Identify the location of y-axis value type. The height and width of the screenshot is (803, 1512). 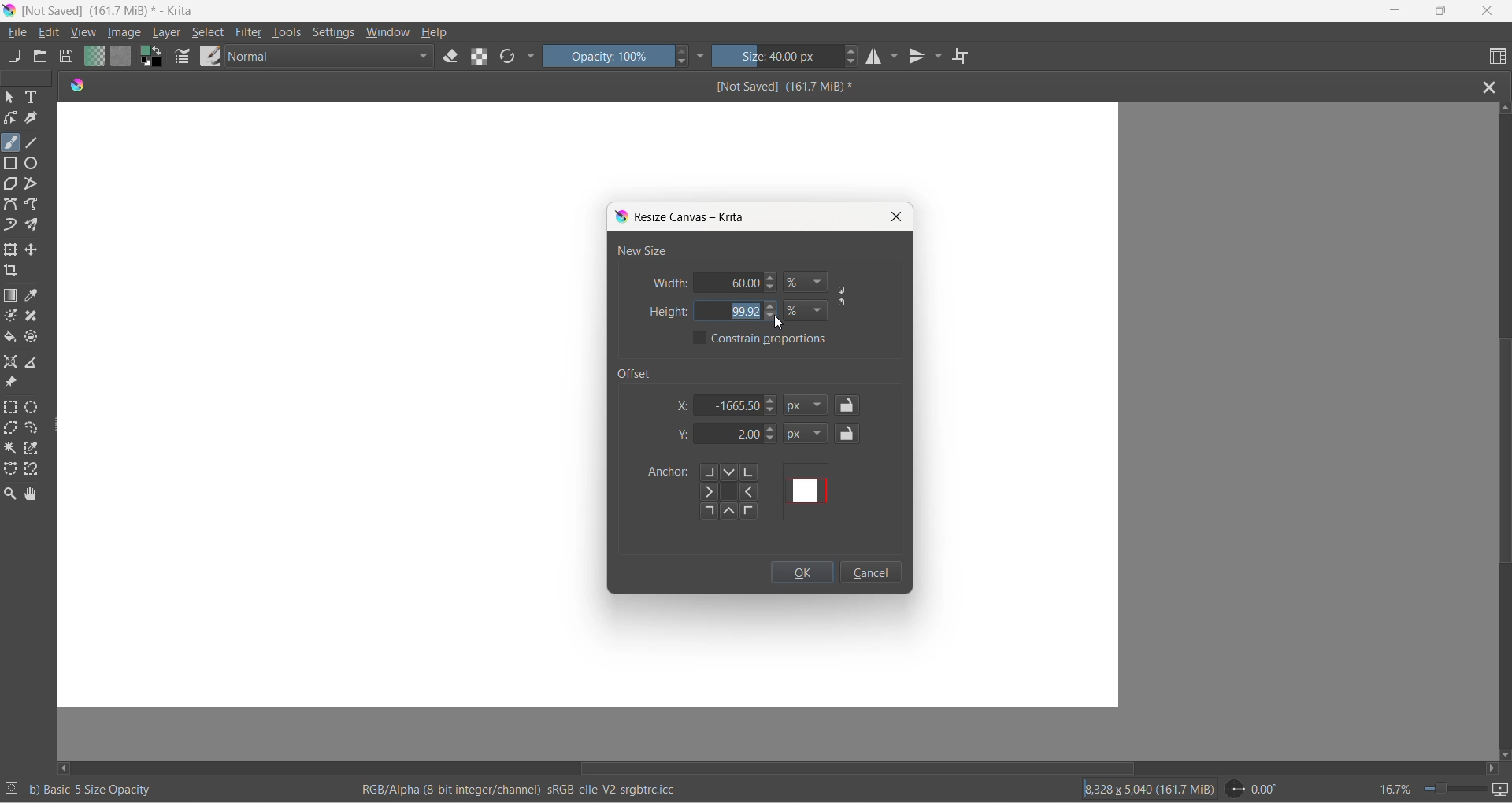
(807, 435).